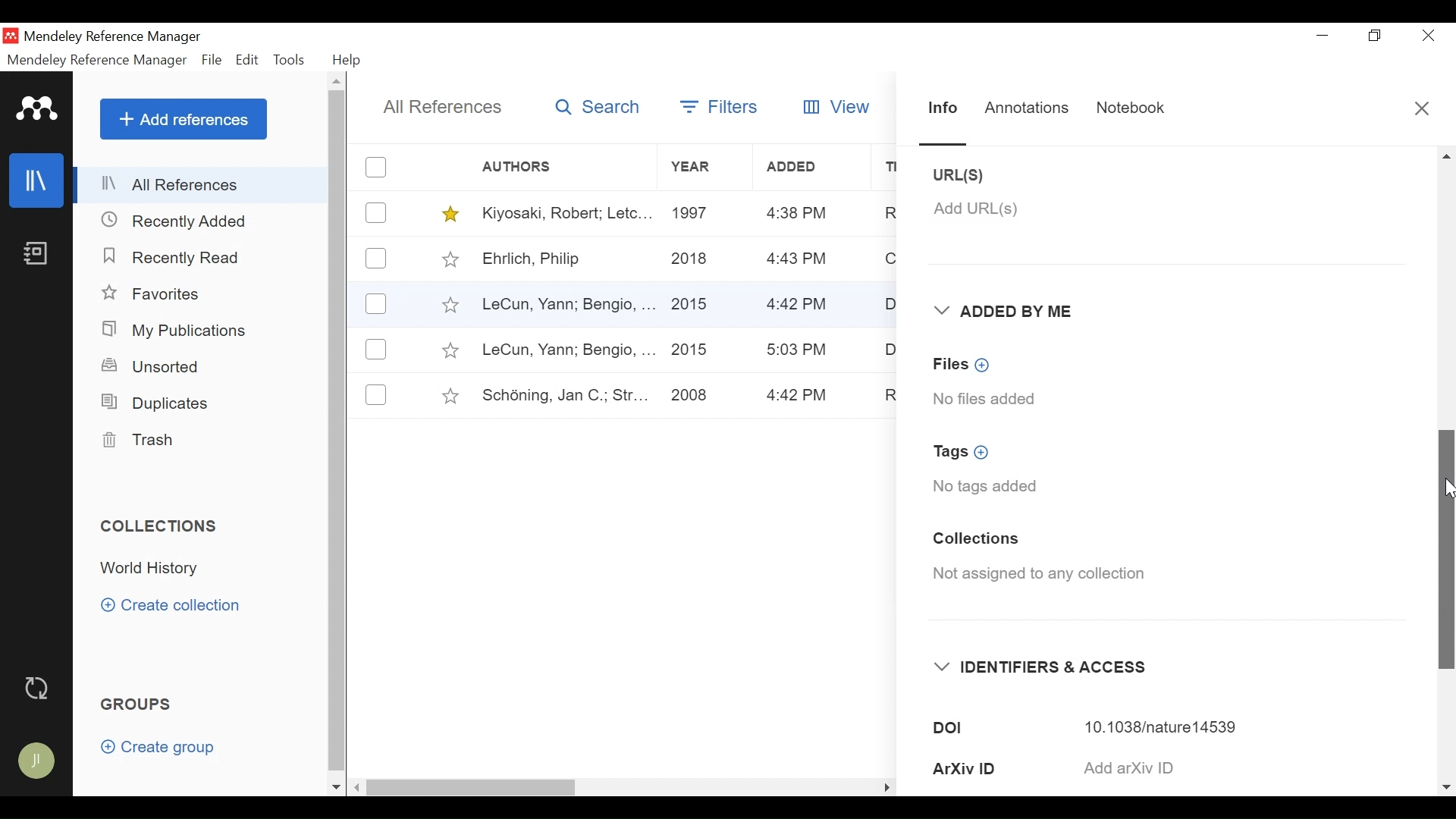 This screenshot has height=819, width=1456. Describe the element at coordinates (450, 259) in the screenshot. I see `Toggle Favorites` at that location.